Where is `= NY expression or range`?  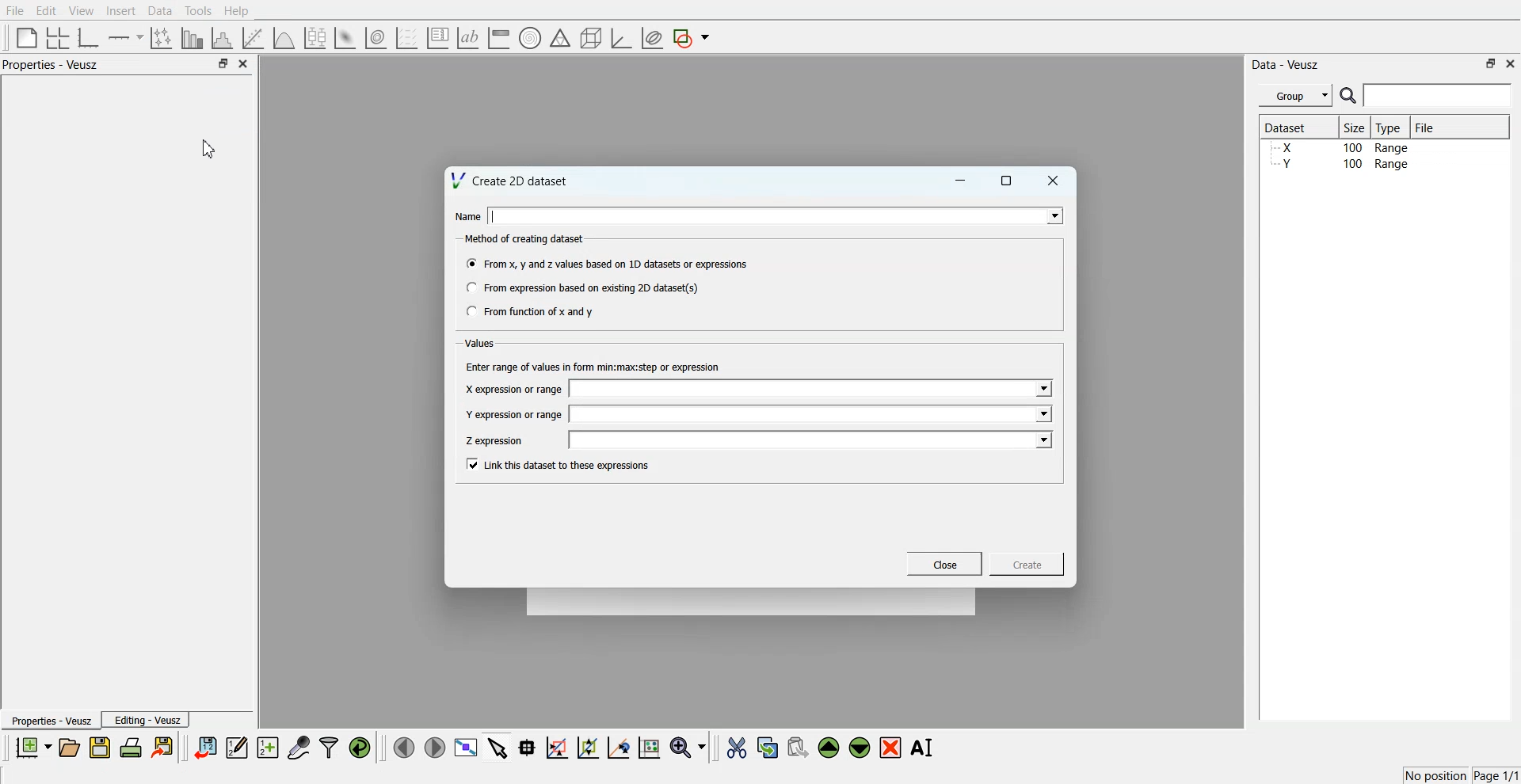 = NY expression or range is located at coordinates (514, 414).